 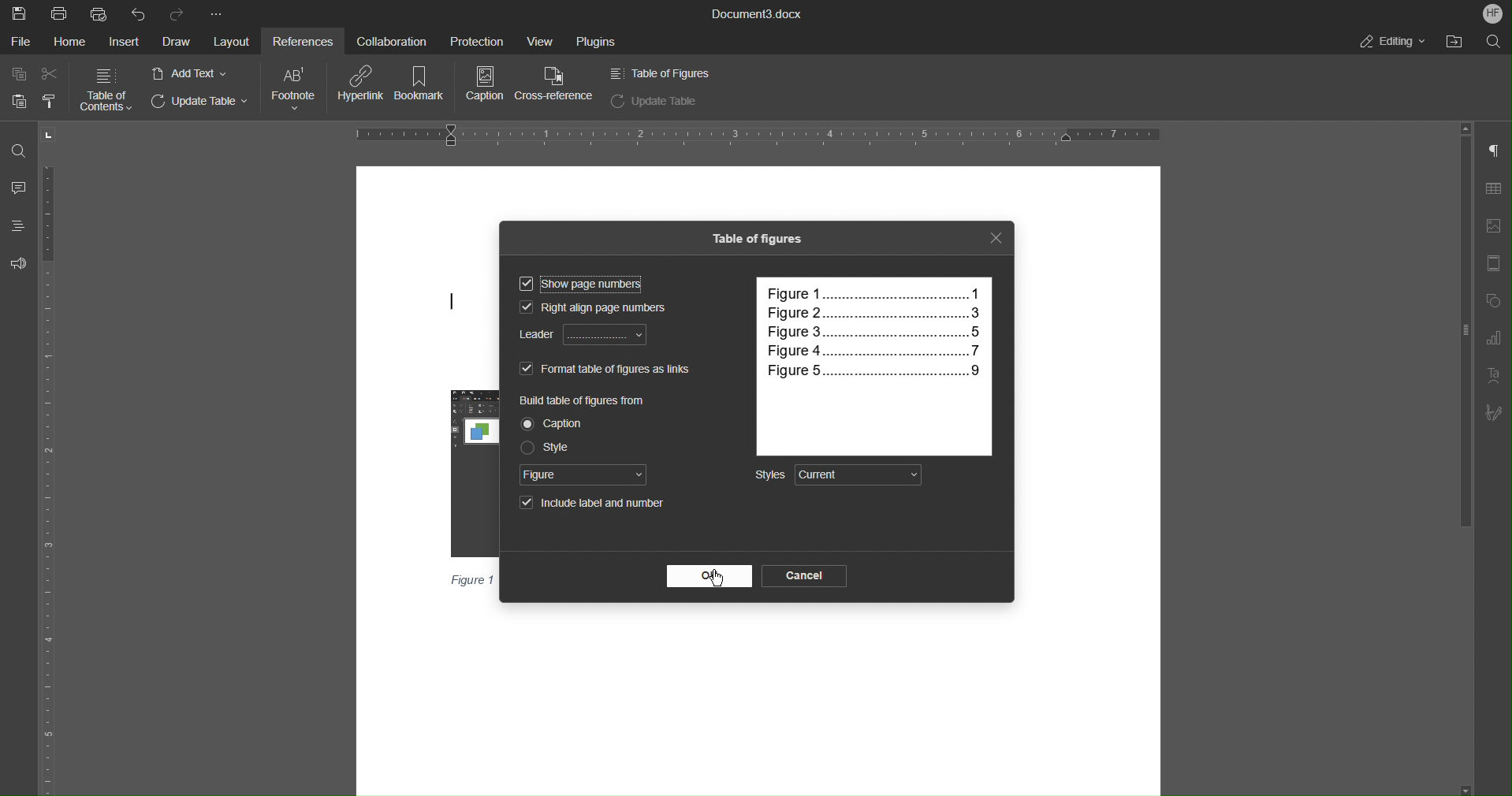 I want to click on Open File Location, so click(x=1460, y=43).